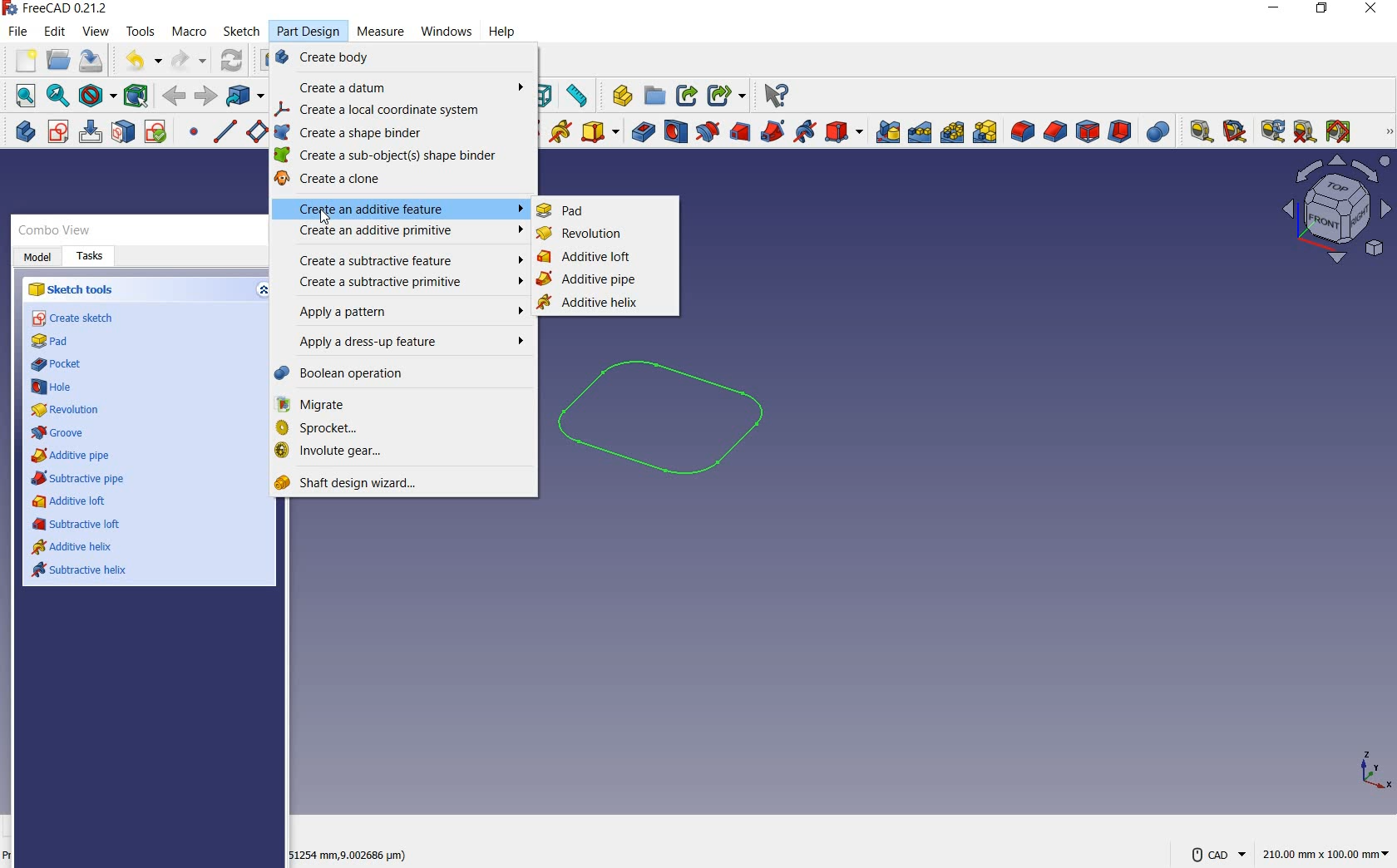 The image size is (1397, 868). I want to click on help, so click(504, 31).